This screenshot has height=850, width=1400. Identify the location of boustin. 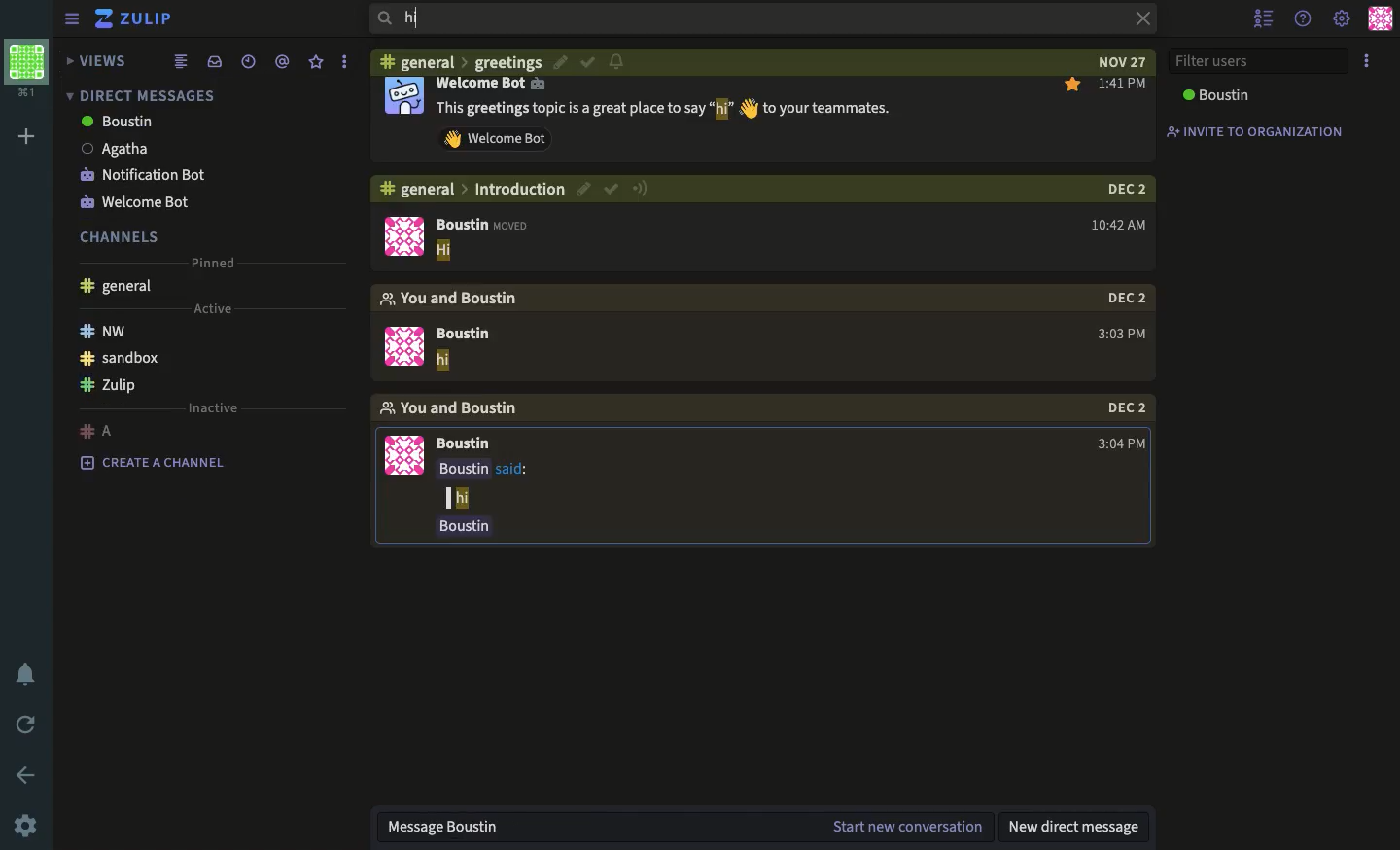
(122, 124).